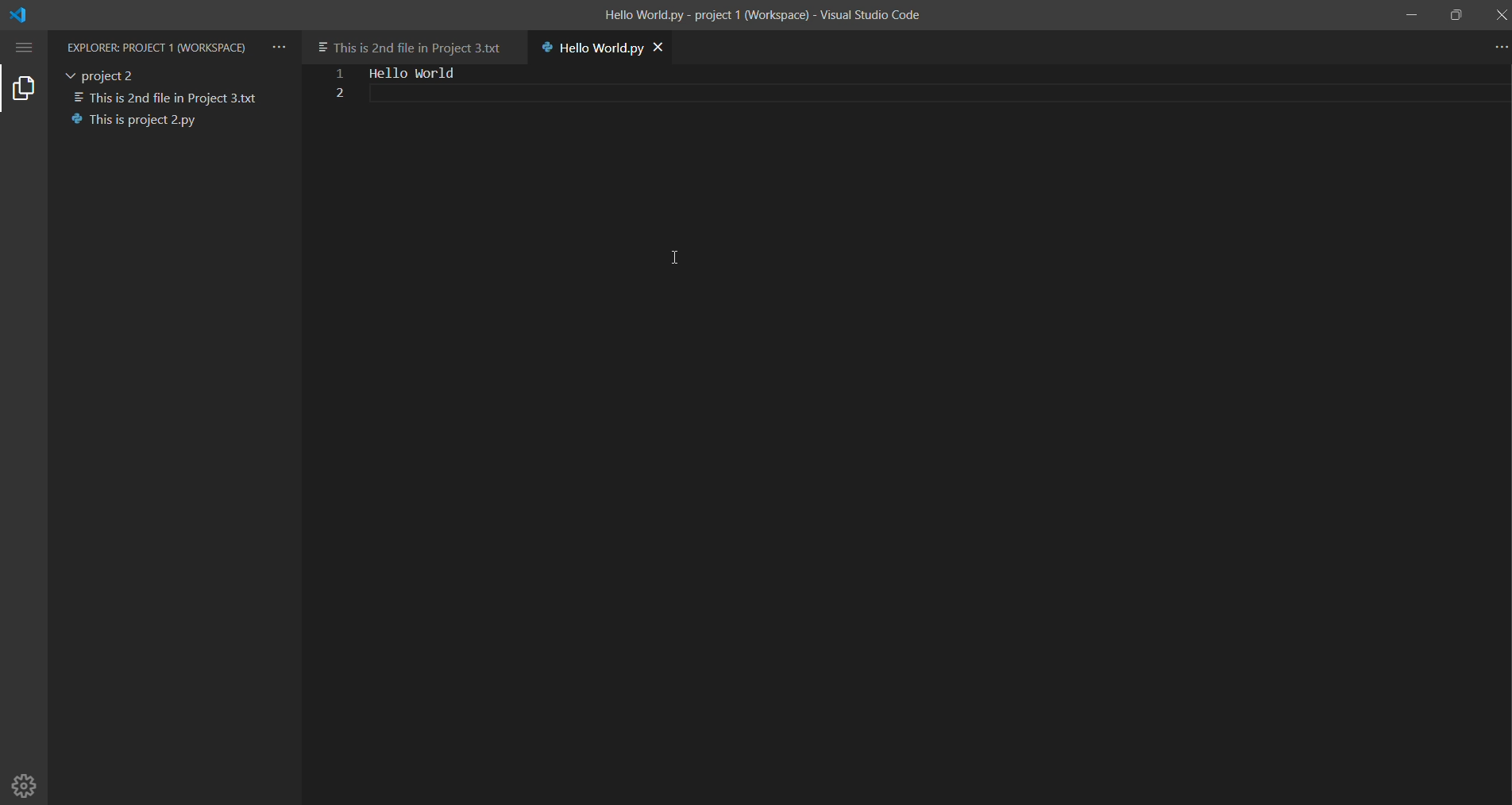  Describe the element at coordinates (763, 17) in the screenshot. I see `This is 2nd file in Project 3.txt - project 1 (Workspace) - Visual Studio Code` at that location.